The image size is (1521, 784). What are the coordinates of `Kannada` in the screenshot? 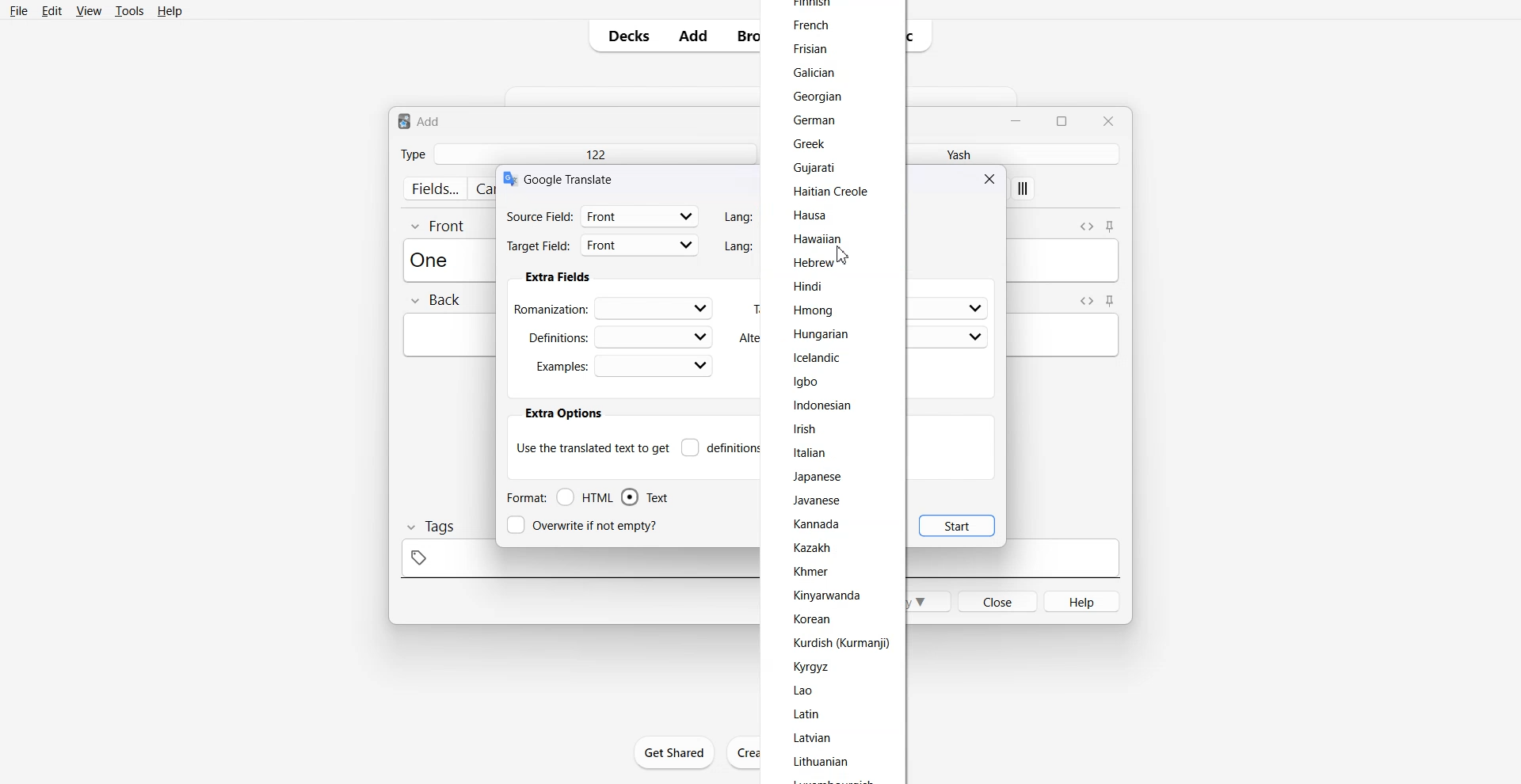 It's located at (819, 524).